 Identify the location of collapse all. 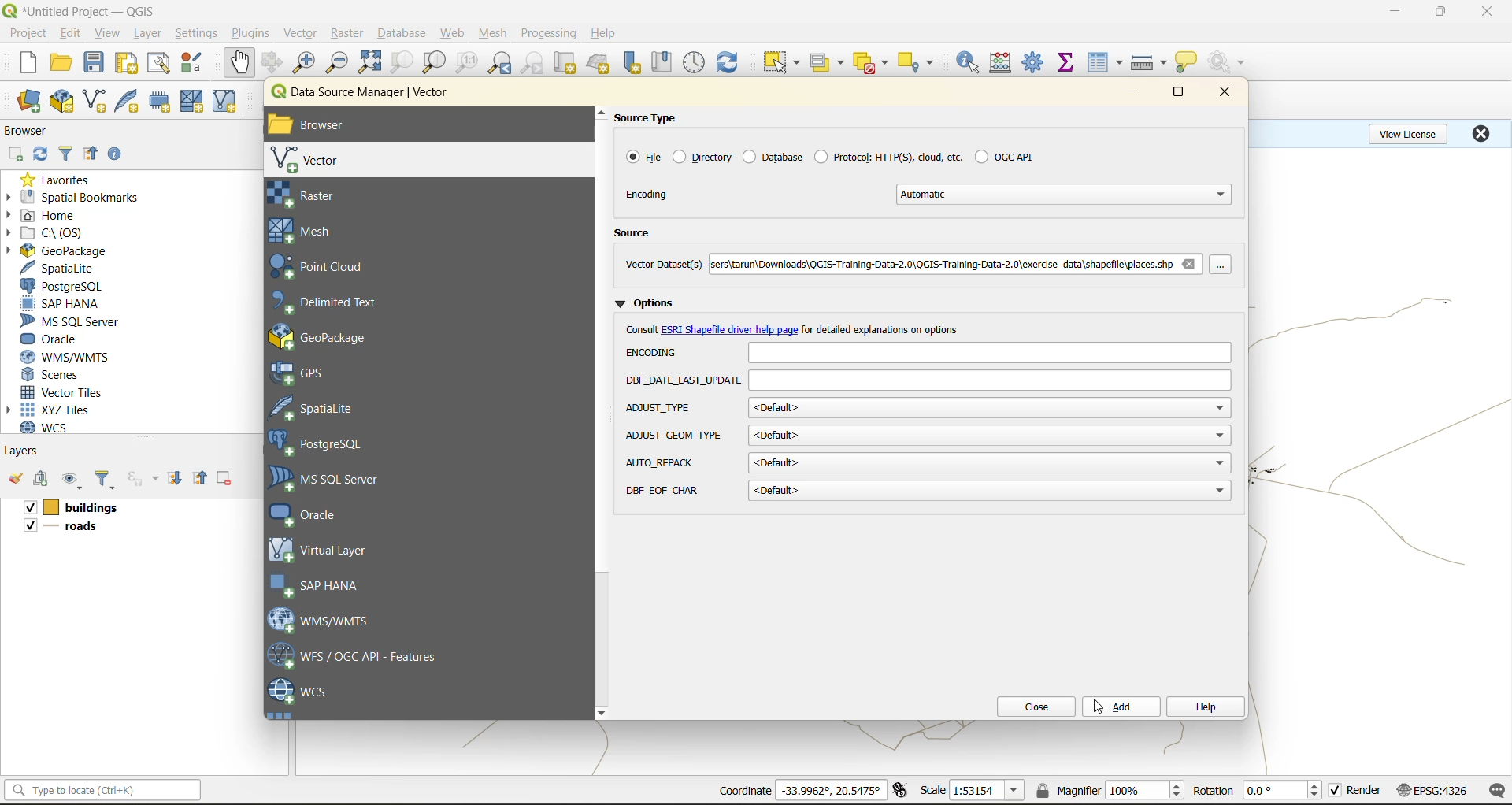
(91, 157).